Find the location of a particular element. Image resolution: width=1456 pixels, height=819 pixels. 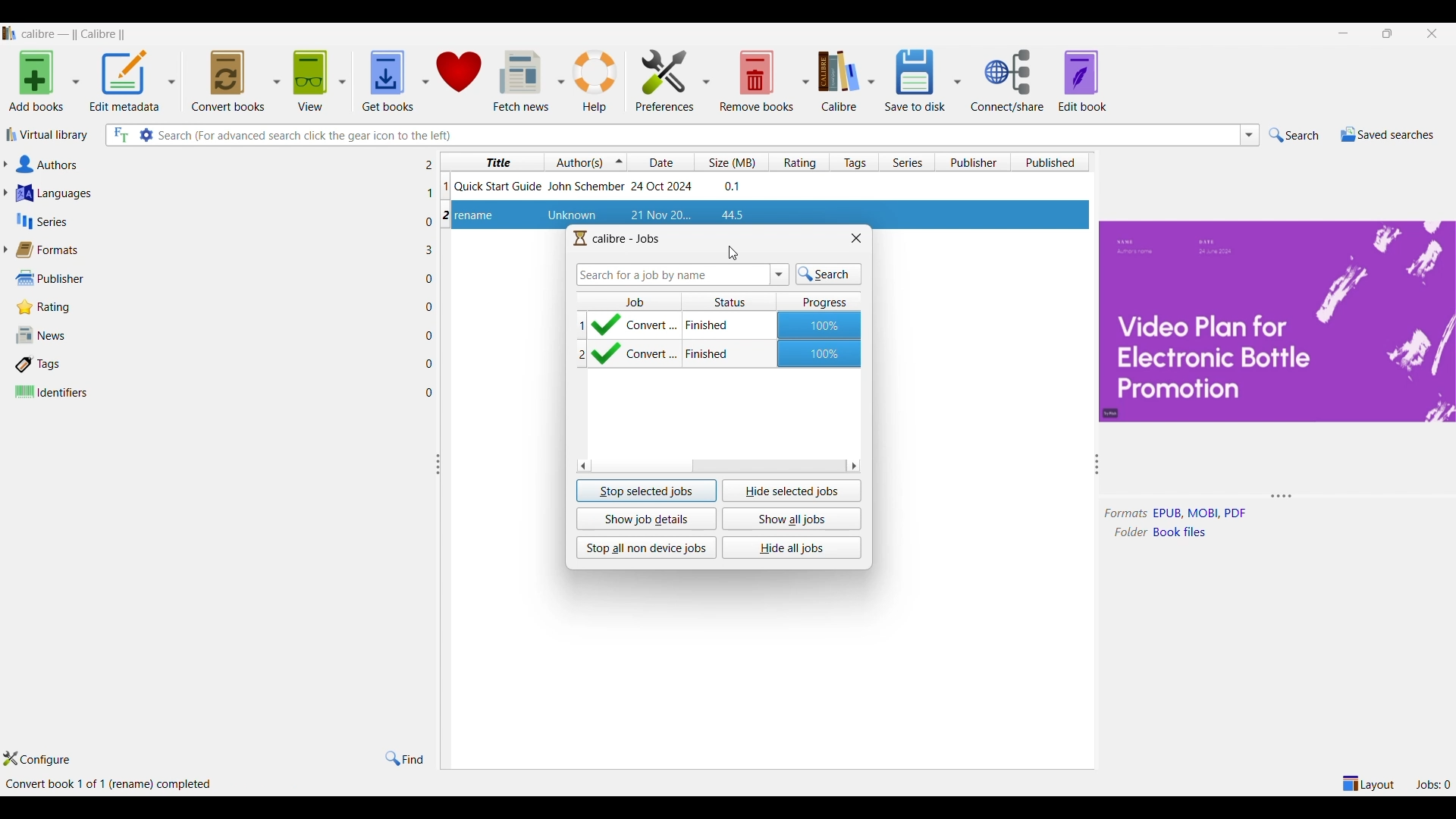

restore is located at coordinates (1387, 33).